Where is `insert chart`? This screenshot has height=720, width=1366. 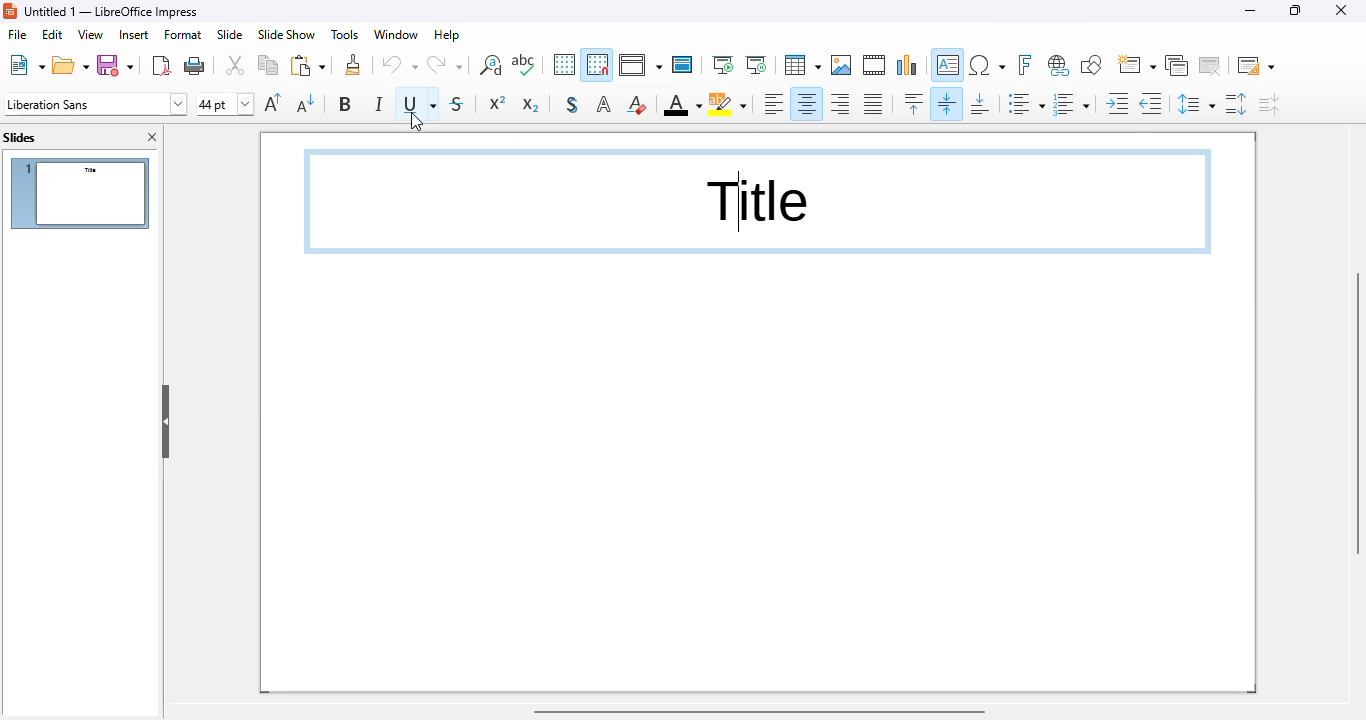 insert chart is located at coordinates (907, 66).